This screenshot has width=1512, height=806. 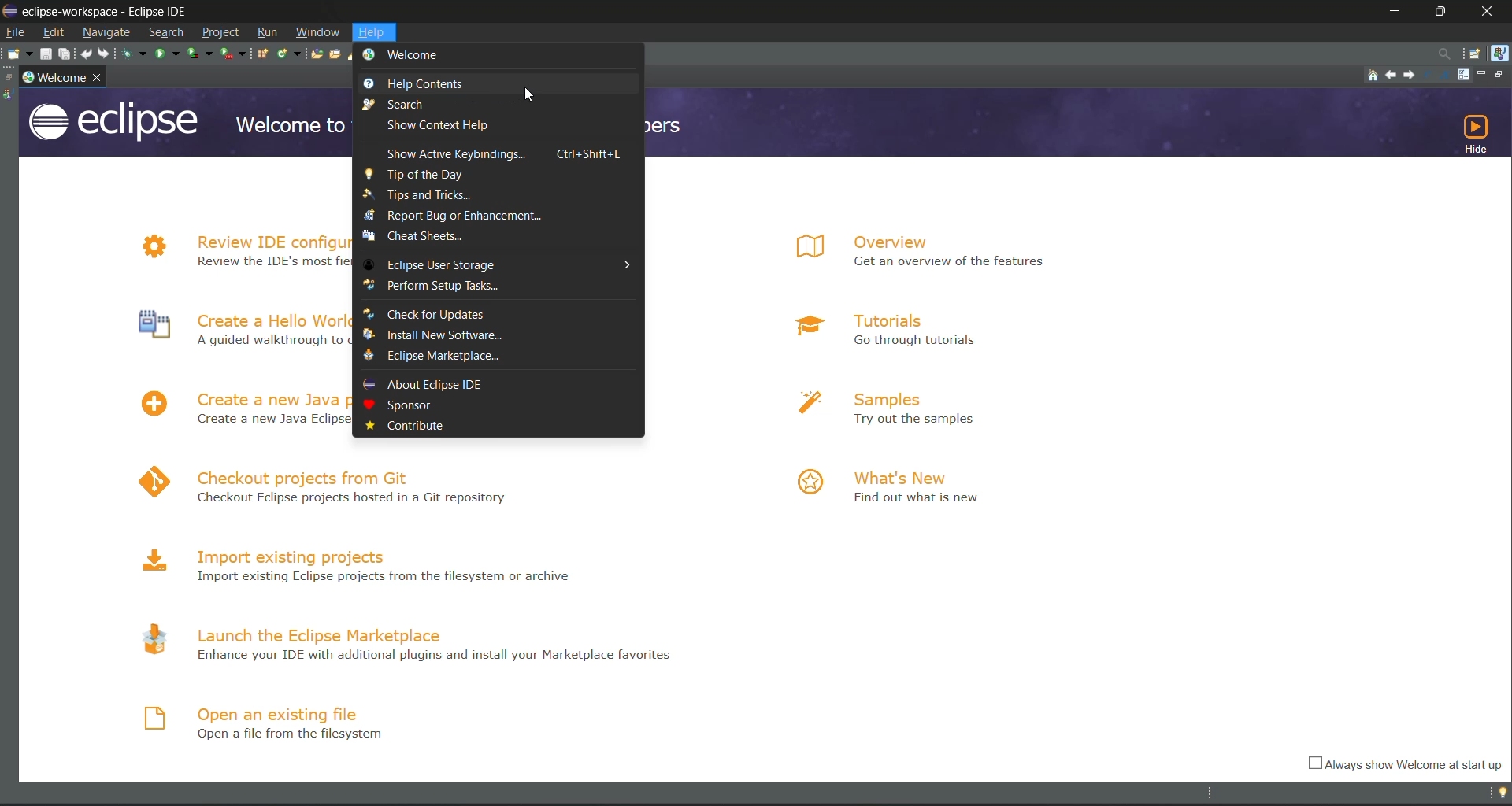 What do you see at coordinates (529, 95) in the screenshot?
I see `cursor` at bounding box center [529, 95].